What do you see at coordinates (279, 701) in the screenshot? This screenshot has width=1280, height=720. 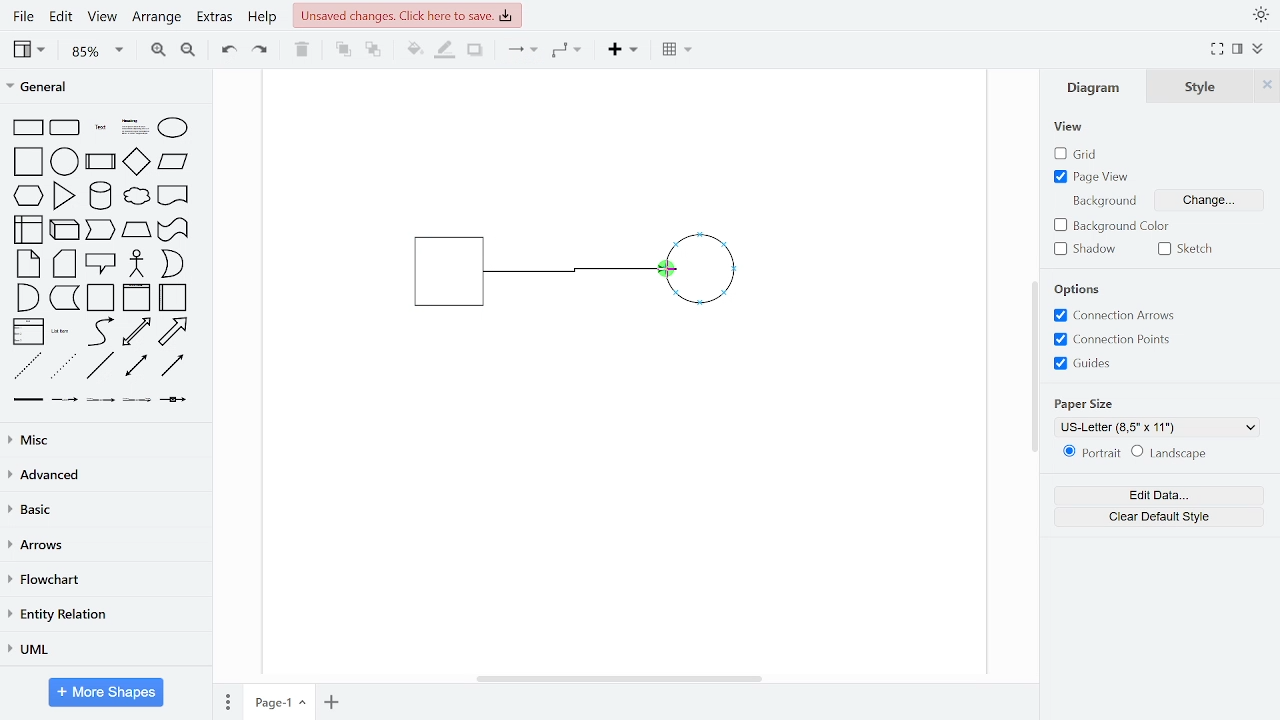 I see `current page` at bounding box center [279, 701].